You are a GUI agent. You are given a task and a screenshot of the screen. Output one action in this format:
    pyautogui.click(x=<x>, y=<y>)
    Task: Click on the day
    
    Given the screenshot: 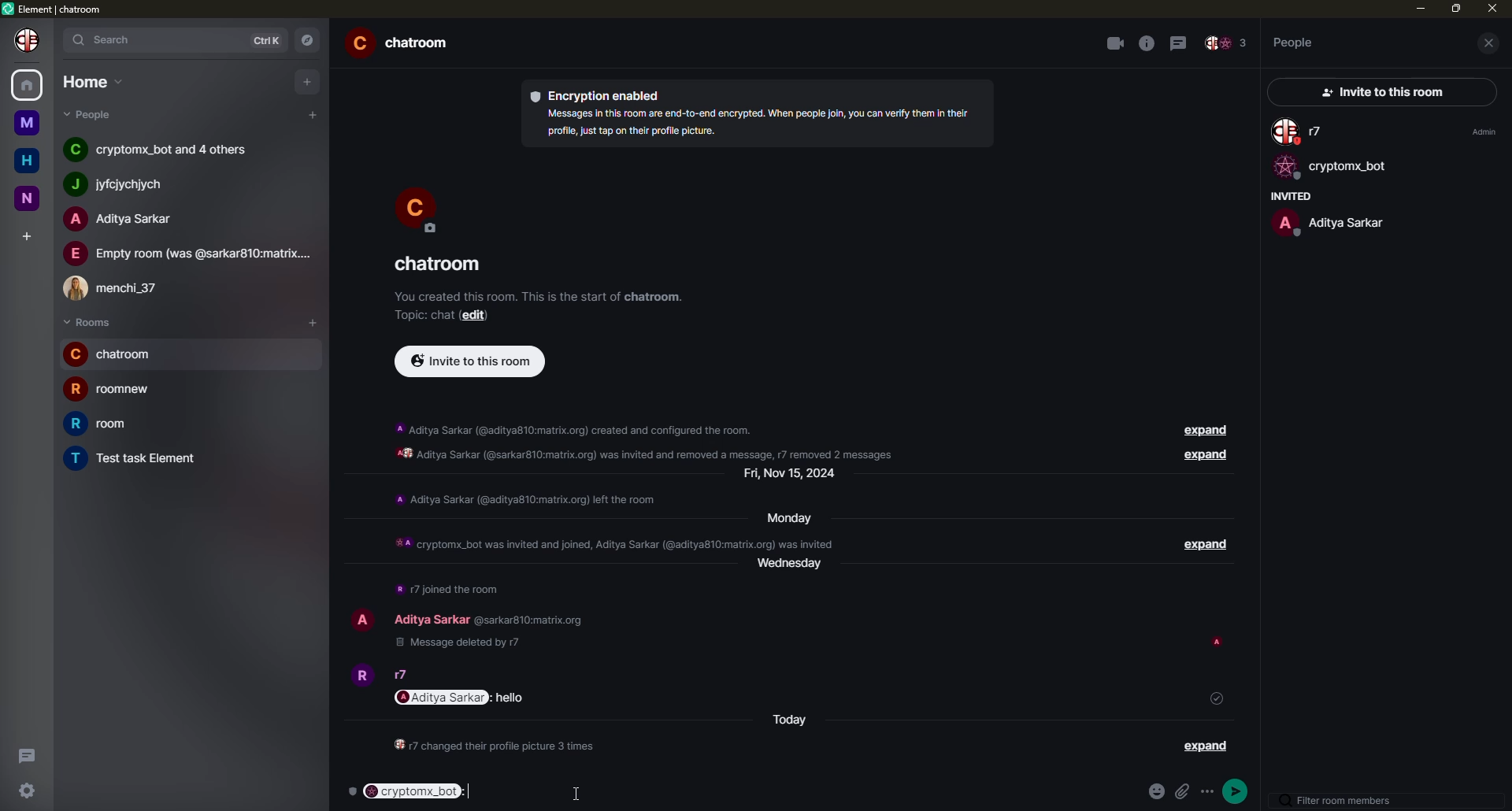 What is the action you would take?
    pyautogui.click(x=795, y=475)
    